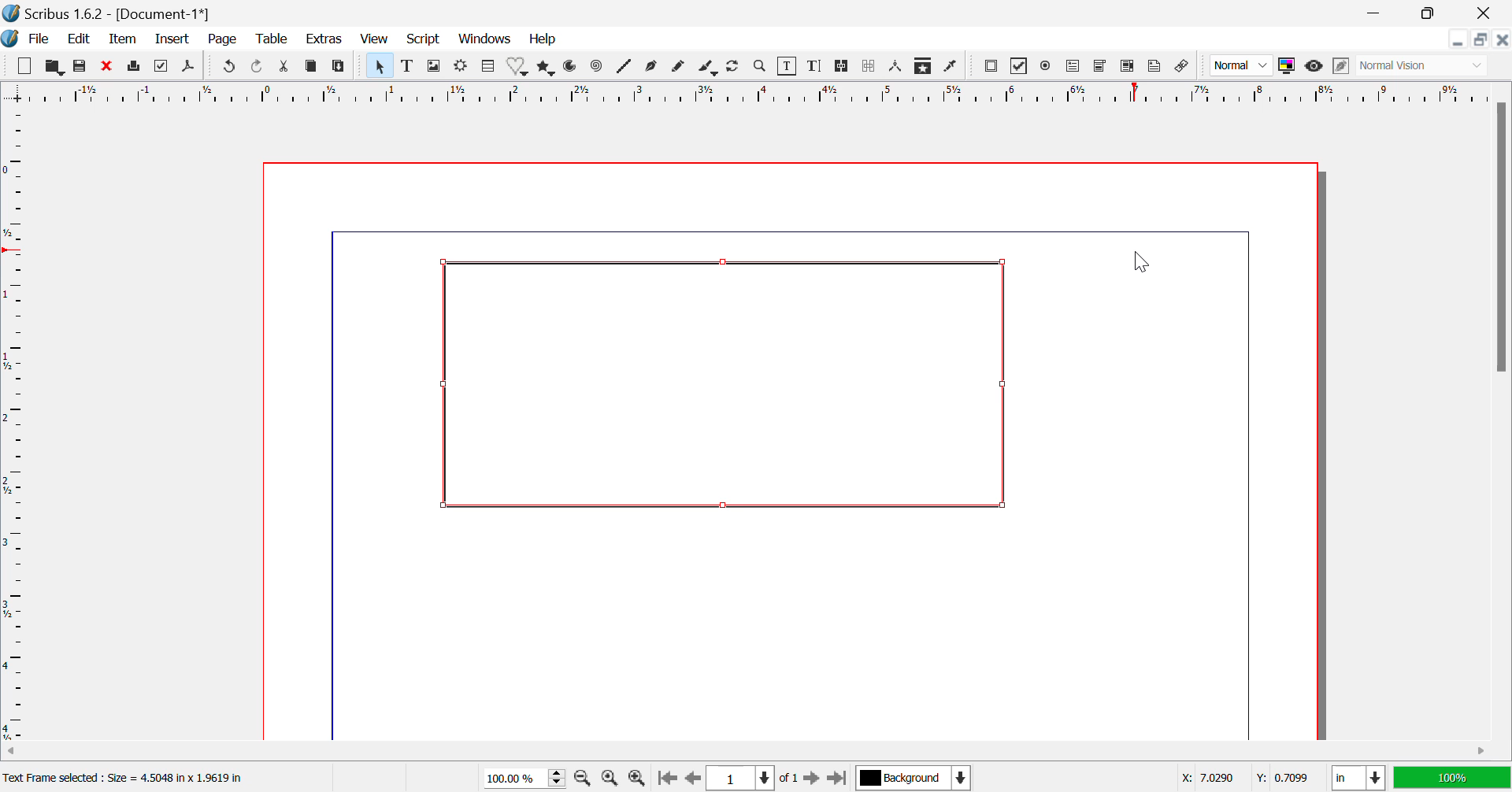  I want to click on Text Frame, so click(718, 385).